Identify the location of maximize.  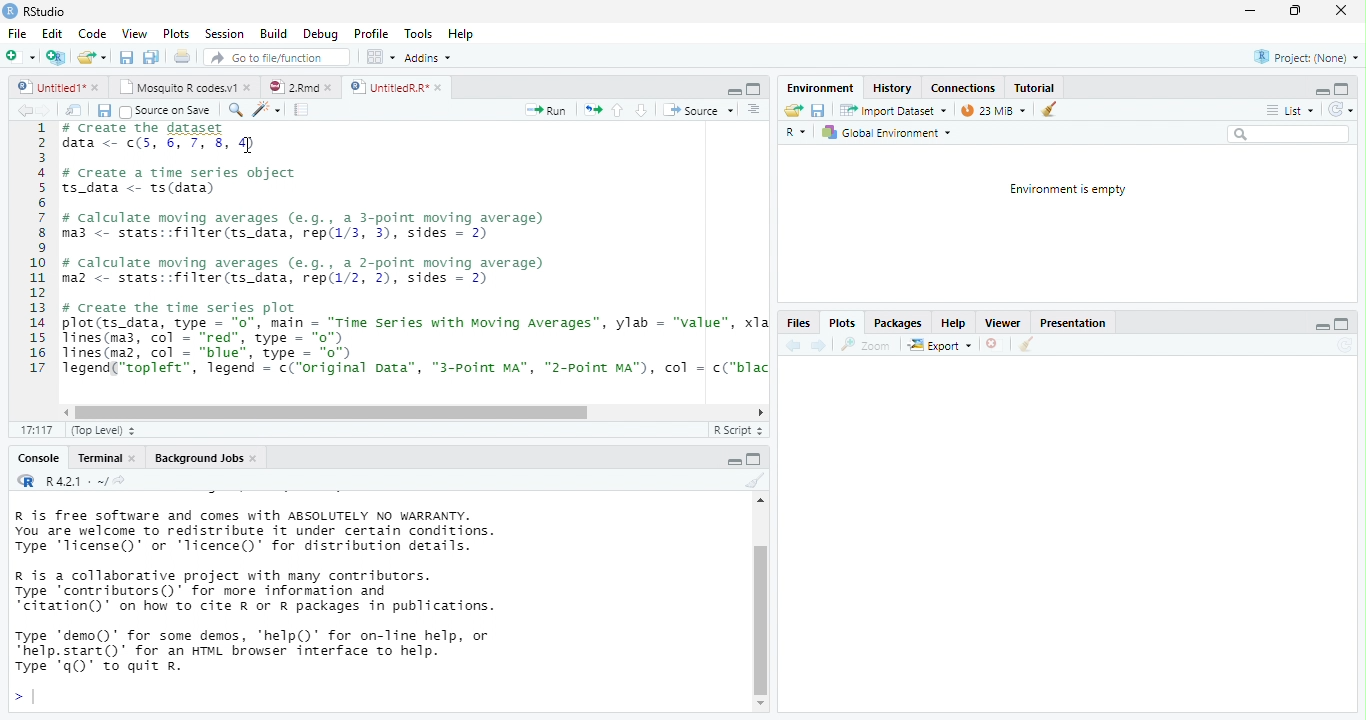
(1340, 325).